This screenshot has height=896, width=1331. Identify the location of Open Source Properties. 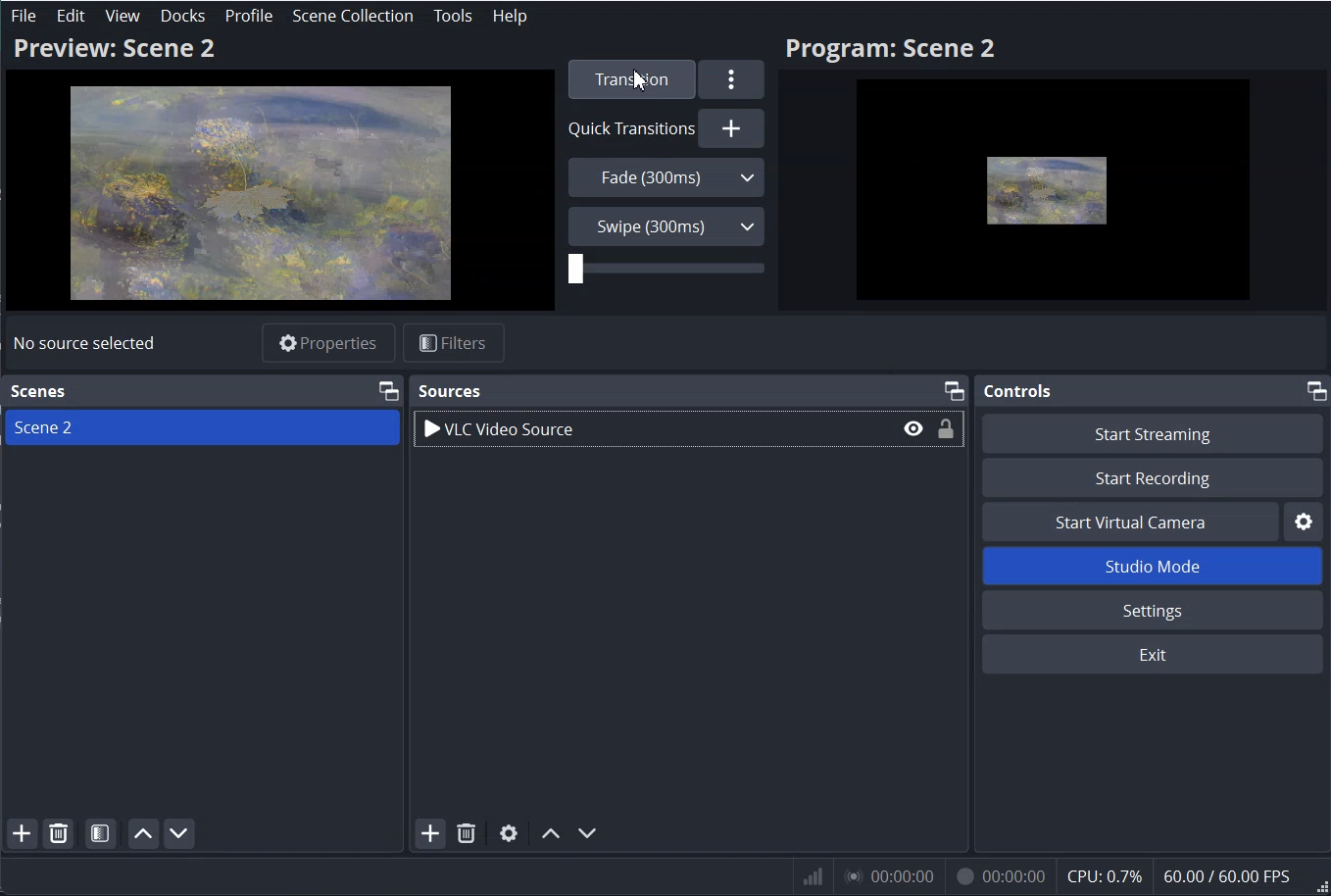
(510, 832).